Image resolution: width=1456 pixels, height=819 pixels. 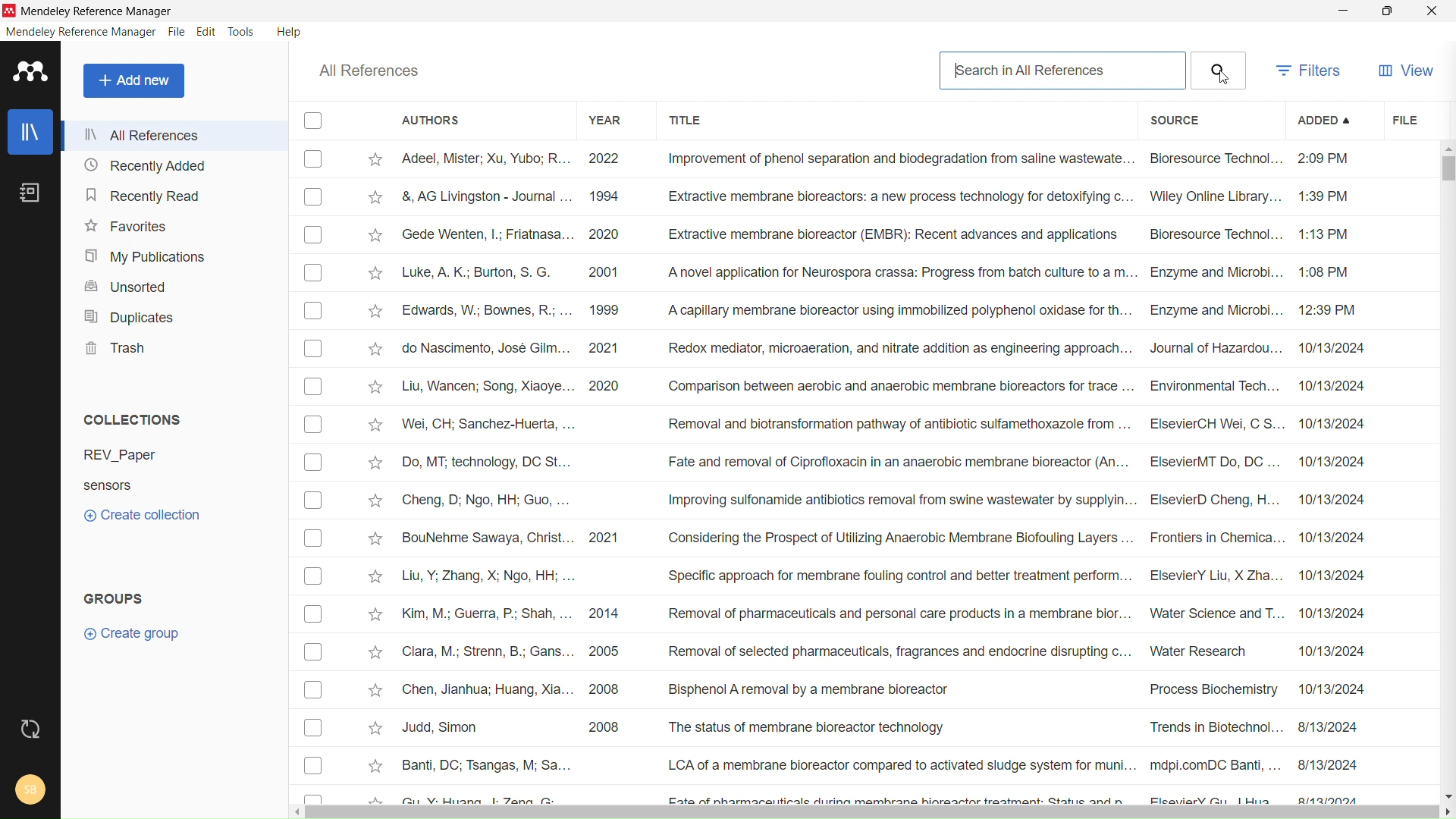 What do you see at coordinates (30, 132) in the screenshot?
I see `library` at bounding box center [30, 132].